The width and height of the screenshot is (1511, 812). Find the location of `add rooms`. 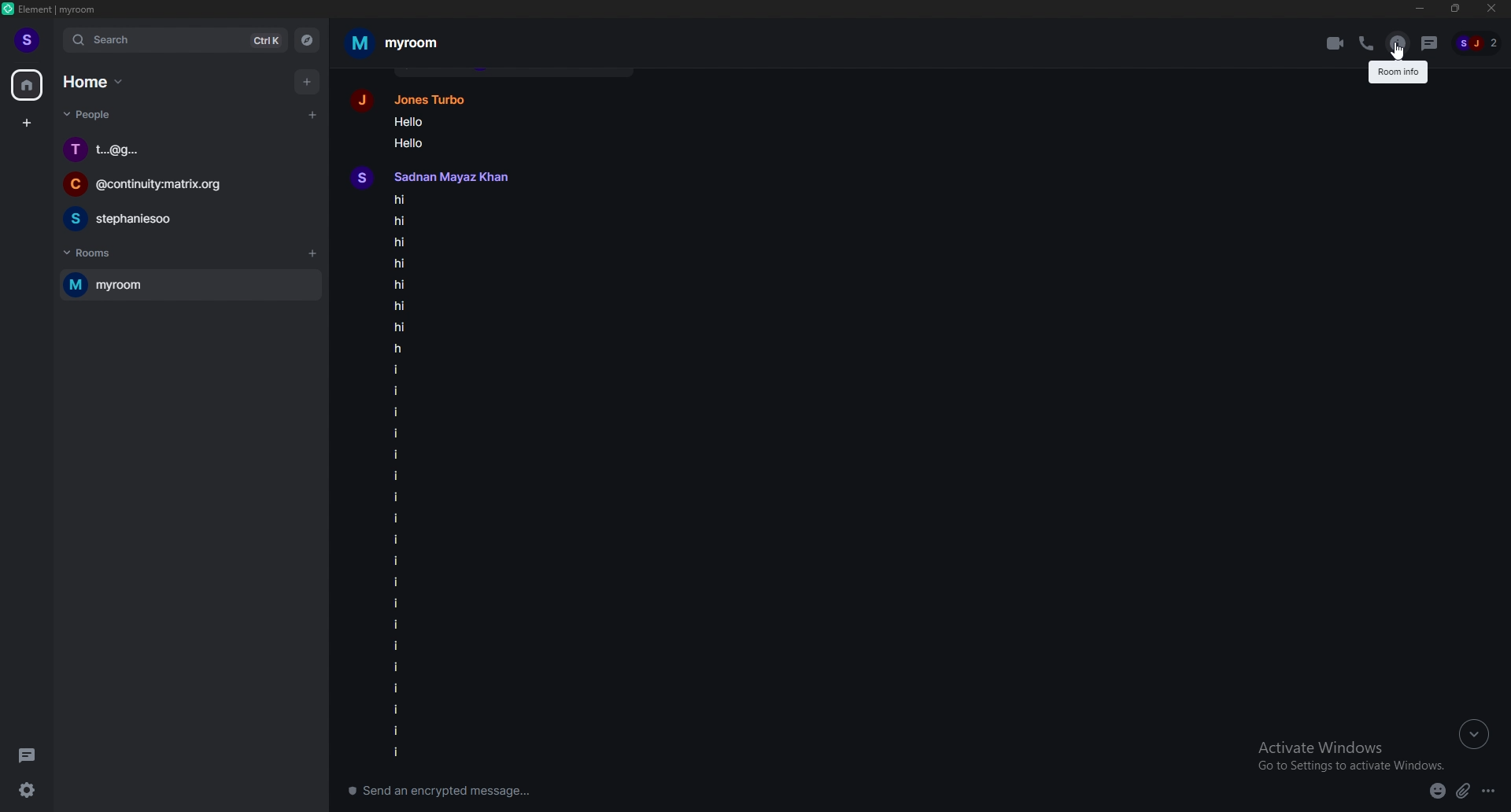

add rooms is located at coordinates (312, 256).